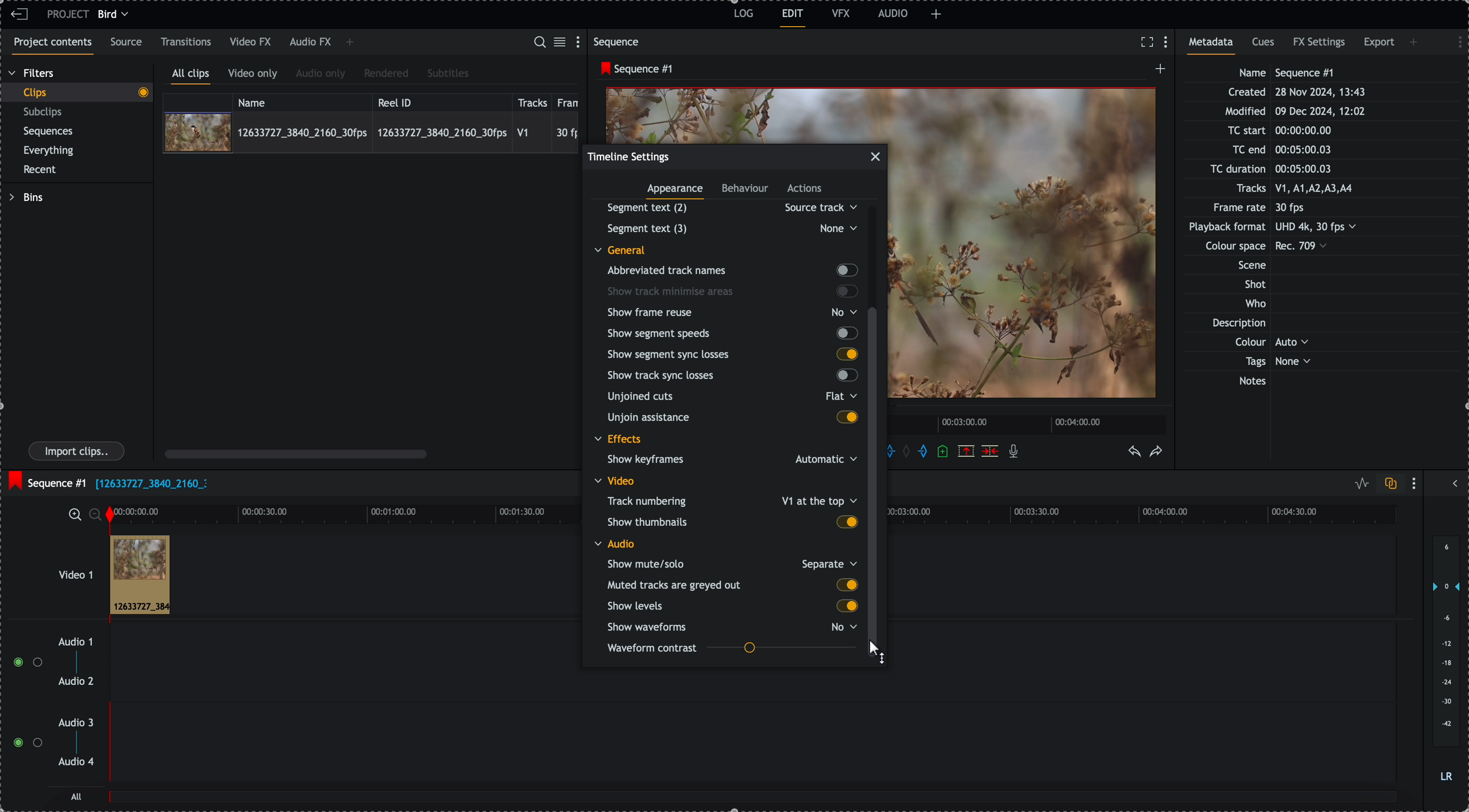 This screenshot has width=1469, height=812. What do you see at coordinates (386, 74) in the screenshot?
I see `rendered` at bounding box center [386, 74].